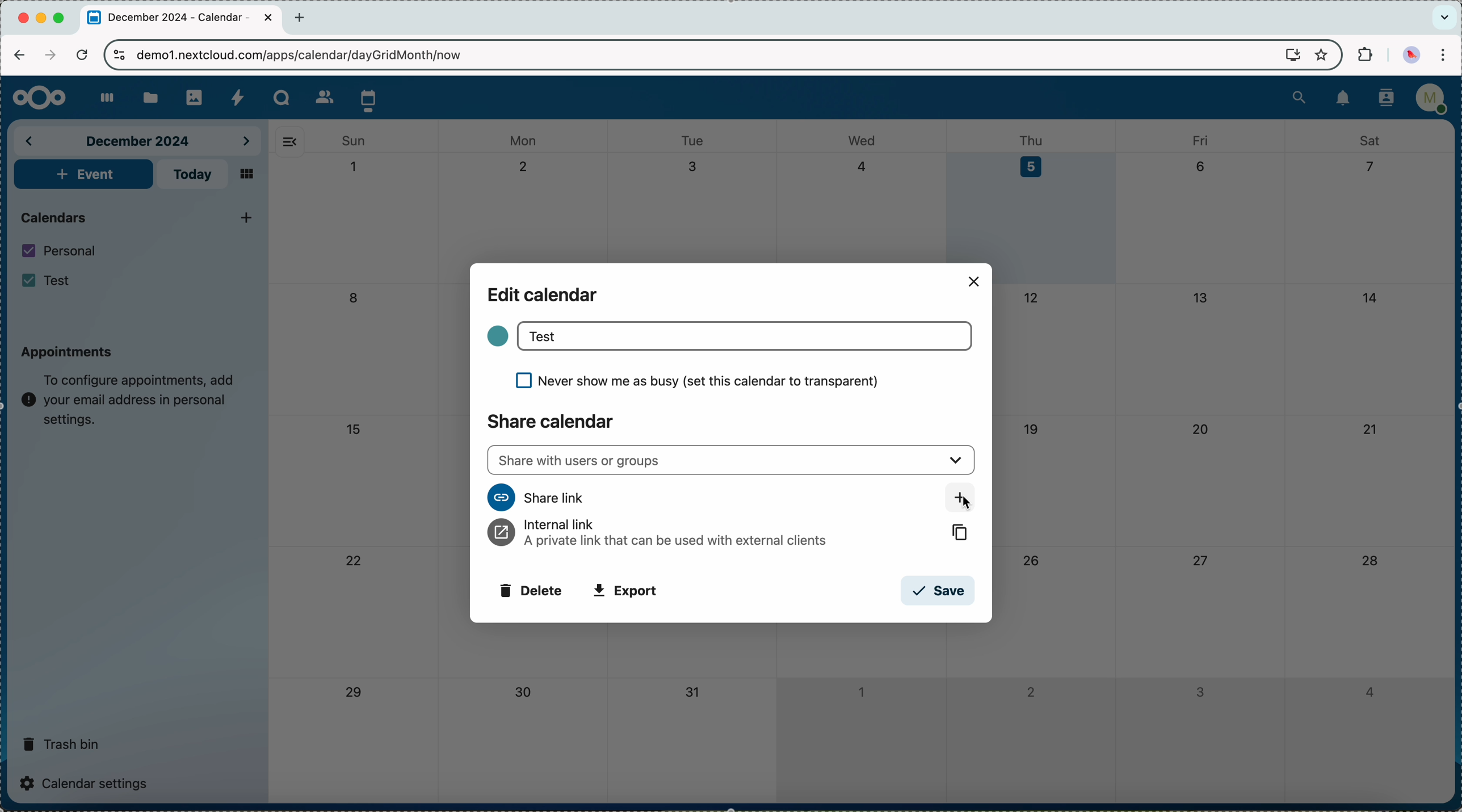 This screenshot has width=1462, height=812. I want to click on controls, so click(120, 56).